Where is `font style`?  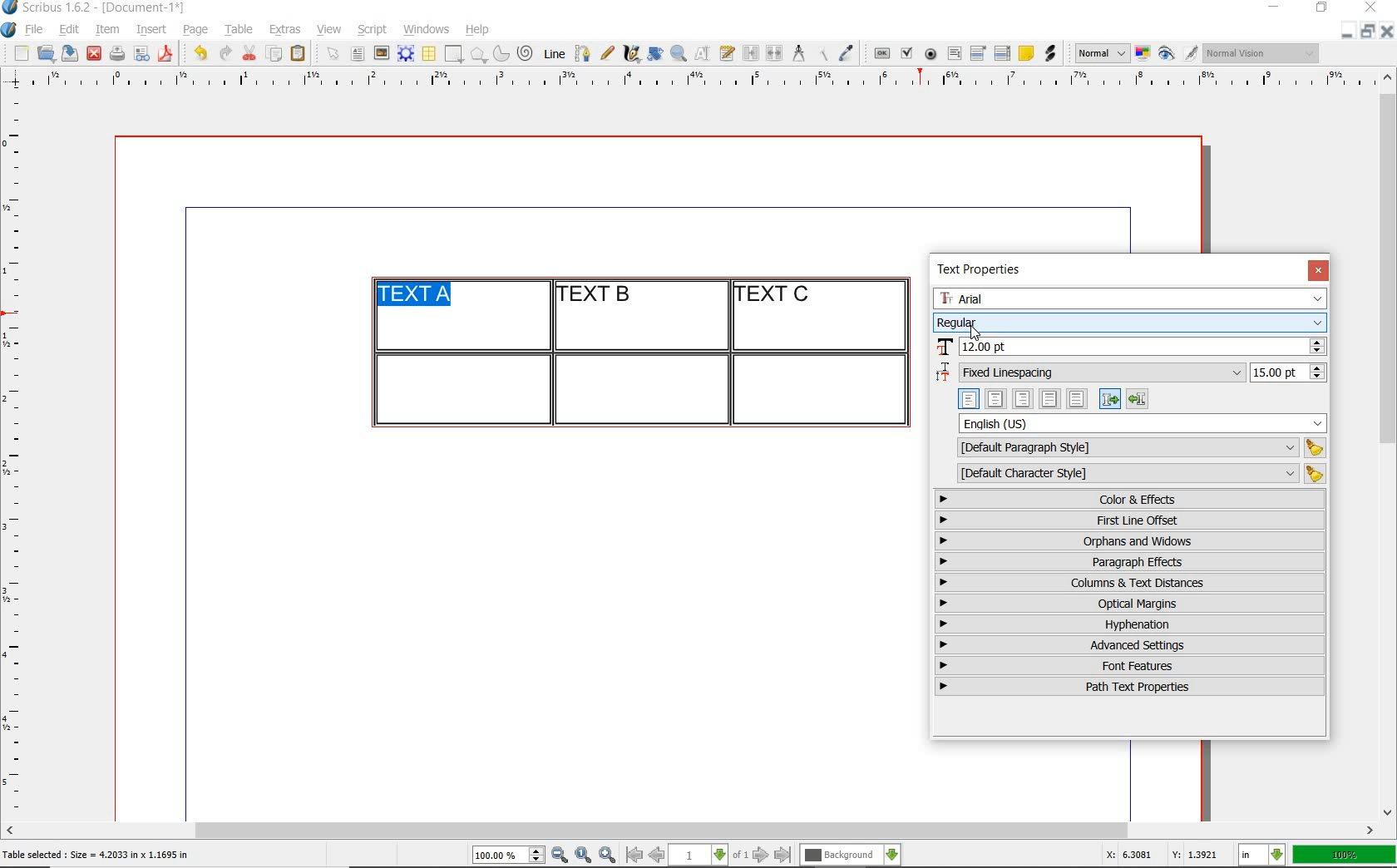 font style is located at coordinates (1132, 323).